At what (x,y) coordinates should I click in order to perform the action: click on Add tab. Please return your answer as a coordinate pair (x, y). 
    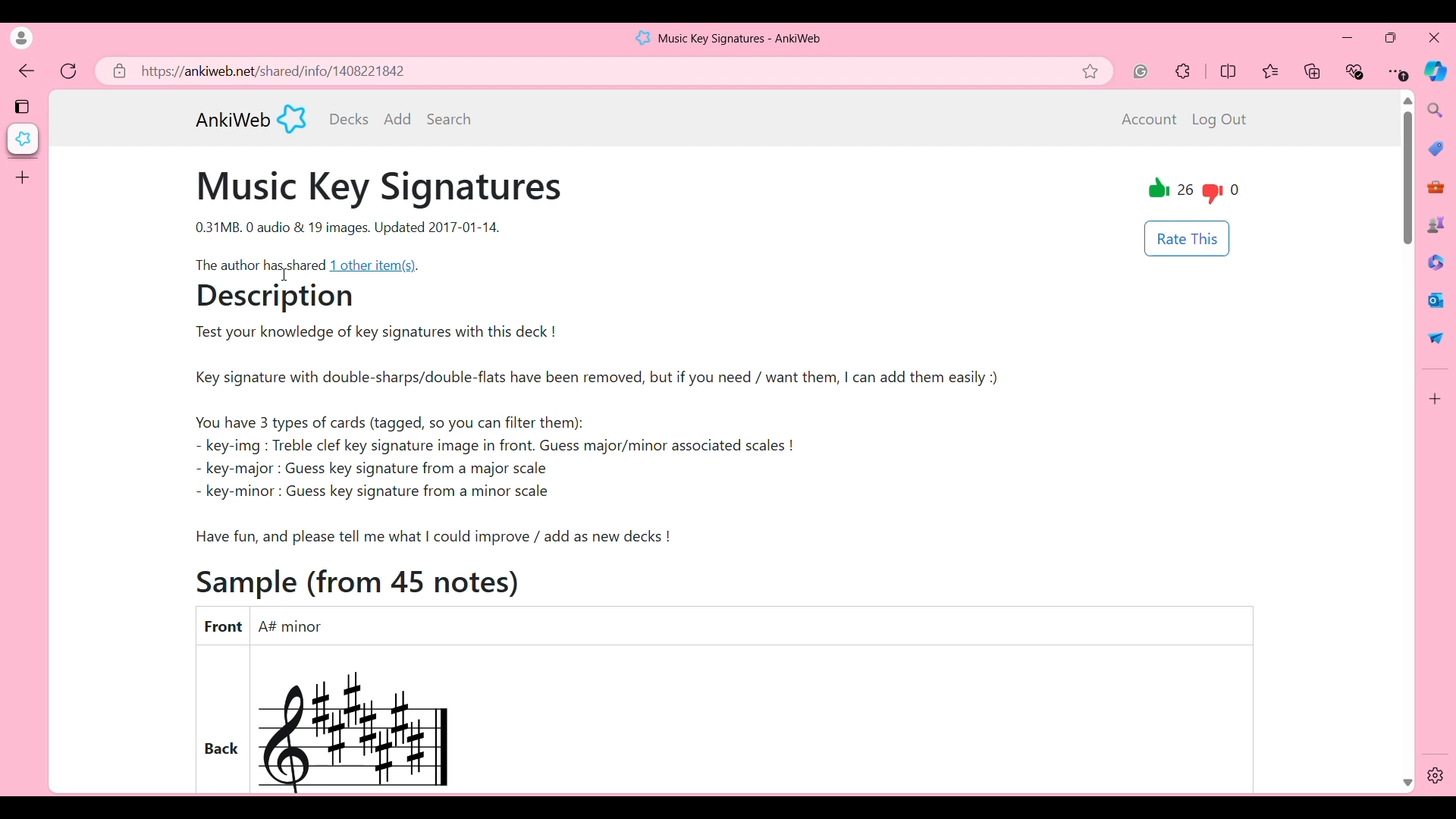
    Looking at the image, I should click on (22, 177).